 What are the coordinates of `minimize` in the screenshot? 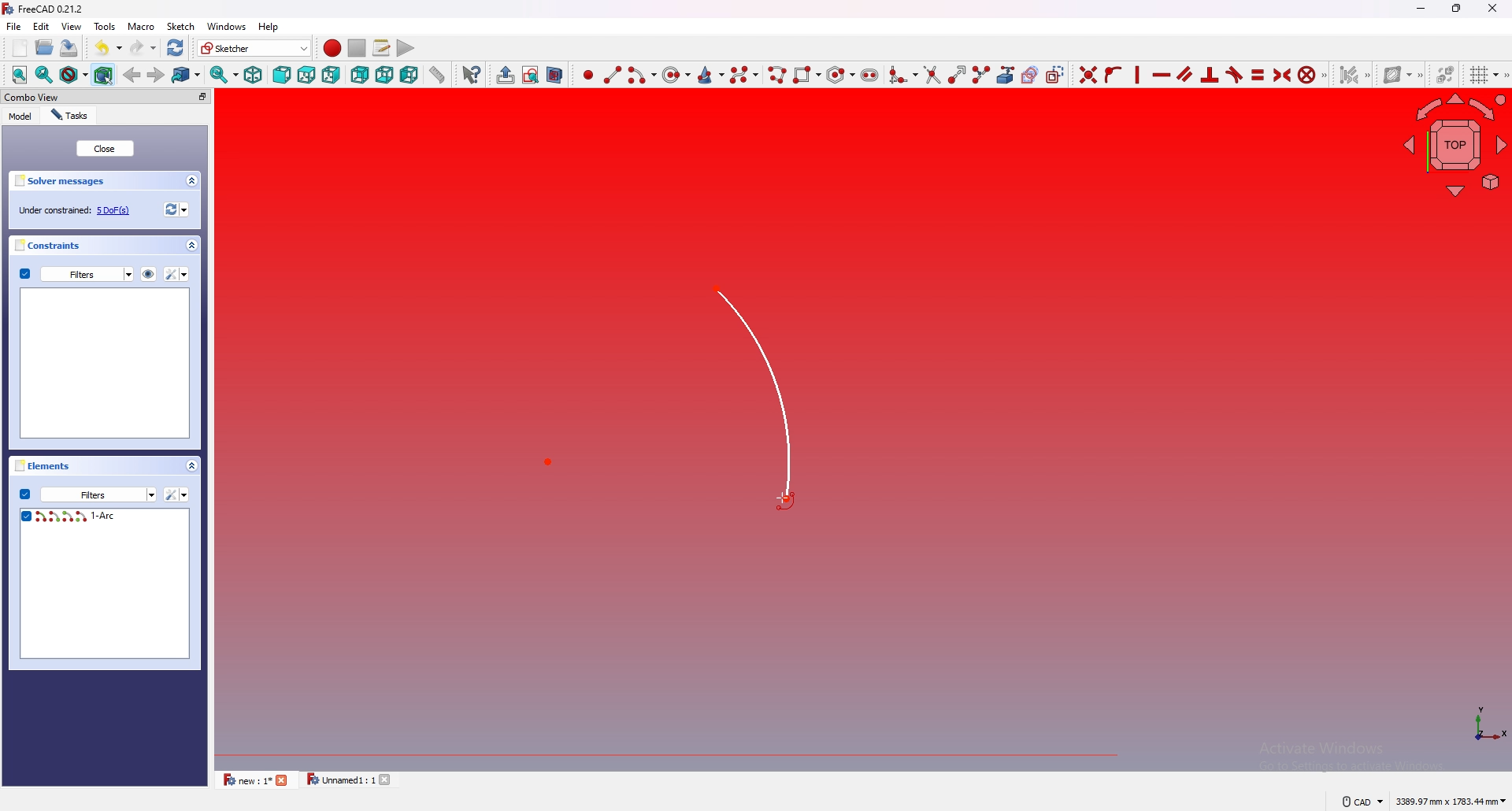 It's located at (1421, 9).